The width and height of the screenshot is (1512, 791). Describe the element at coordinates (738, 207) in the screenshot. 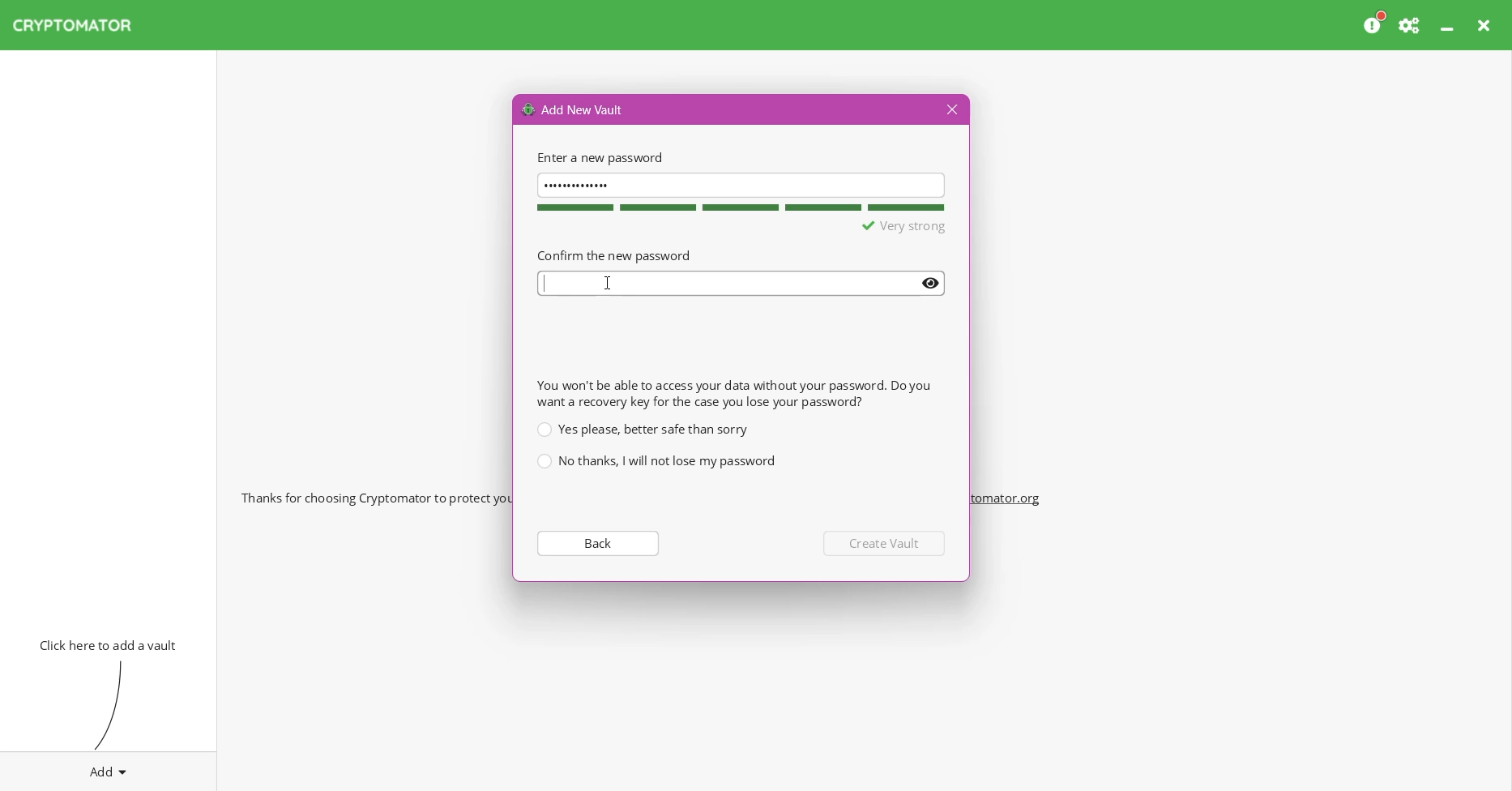

I see `Password strength` at that location.